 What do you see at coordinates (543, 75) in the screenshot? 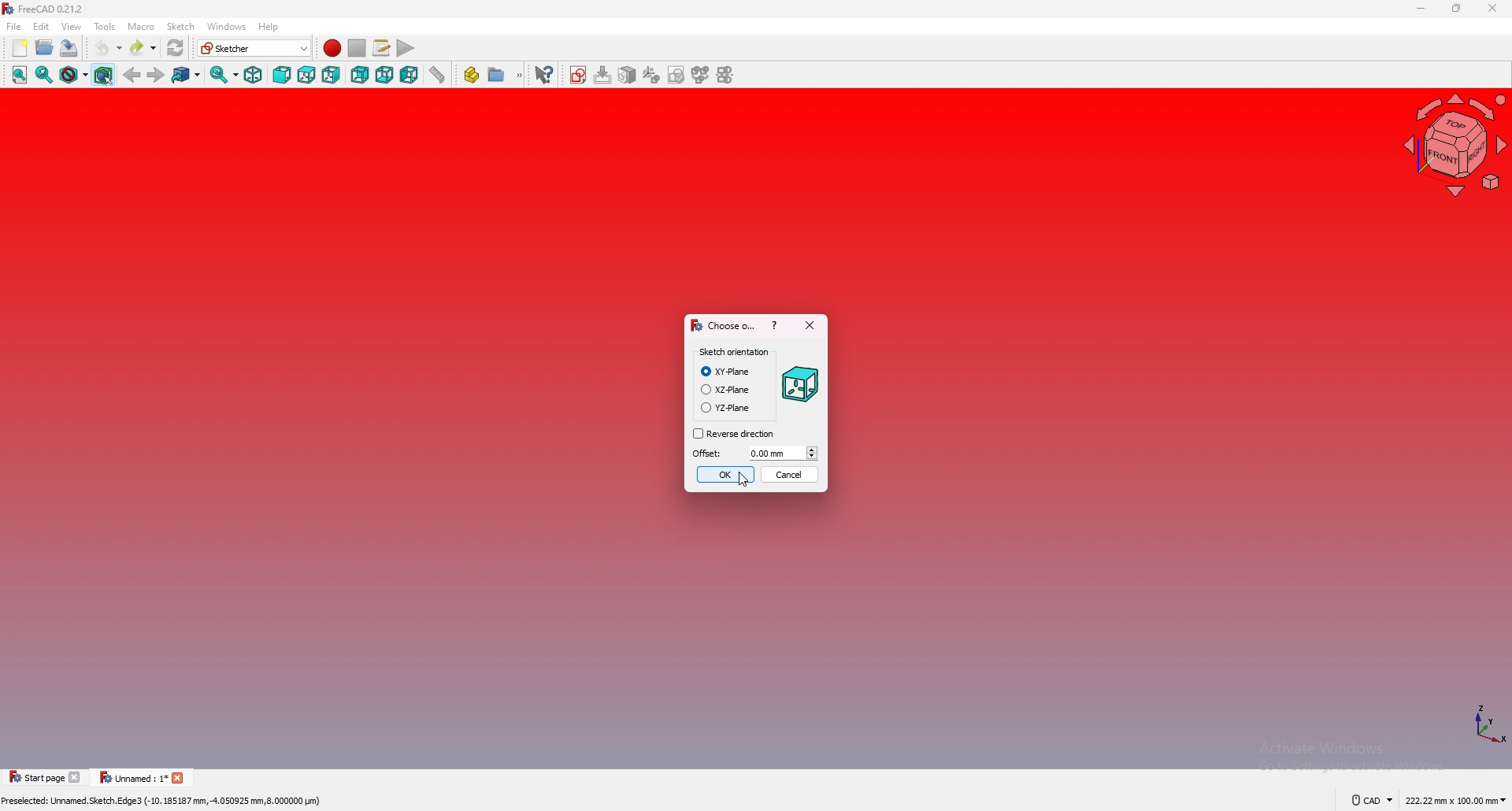
I see `what's this` at bounding box center [543, 75].